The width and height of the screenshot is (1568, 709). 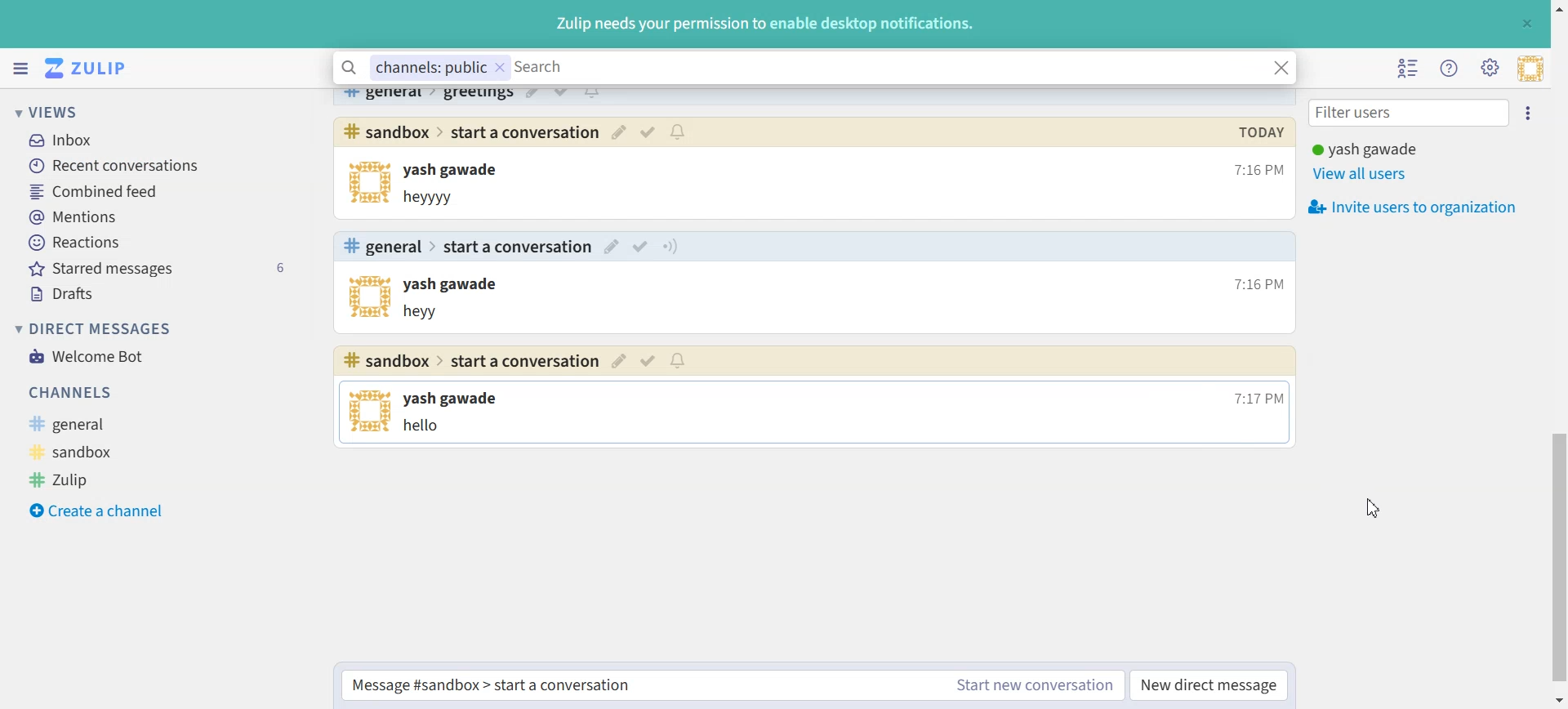 What do you see at coordinates (649, 362) in the screenshot?
I see `Marked as resolved` at bounding box center [649, 362].